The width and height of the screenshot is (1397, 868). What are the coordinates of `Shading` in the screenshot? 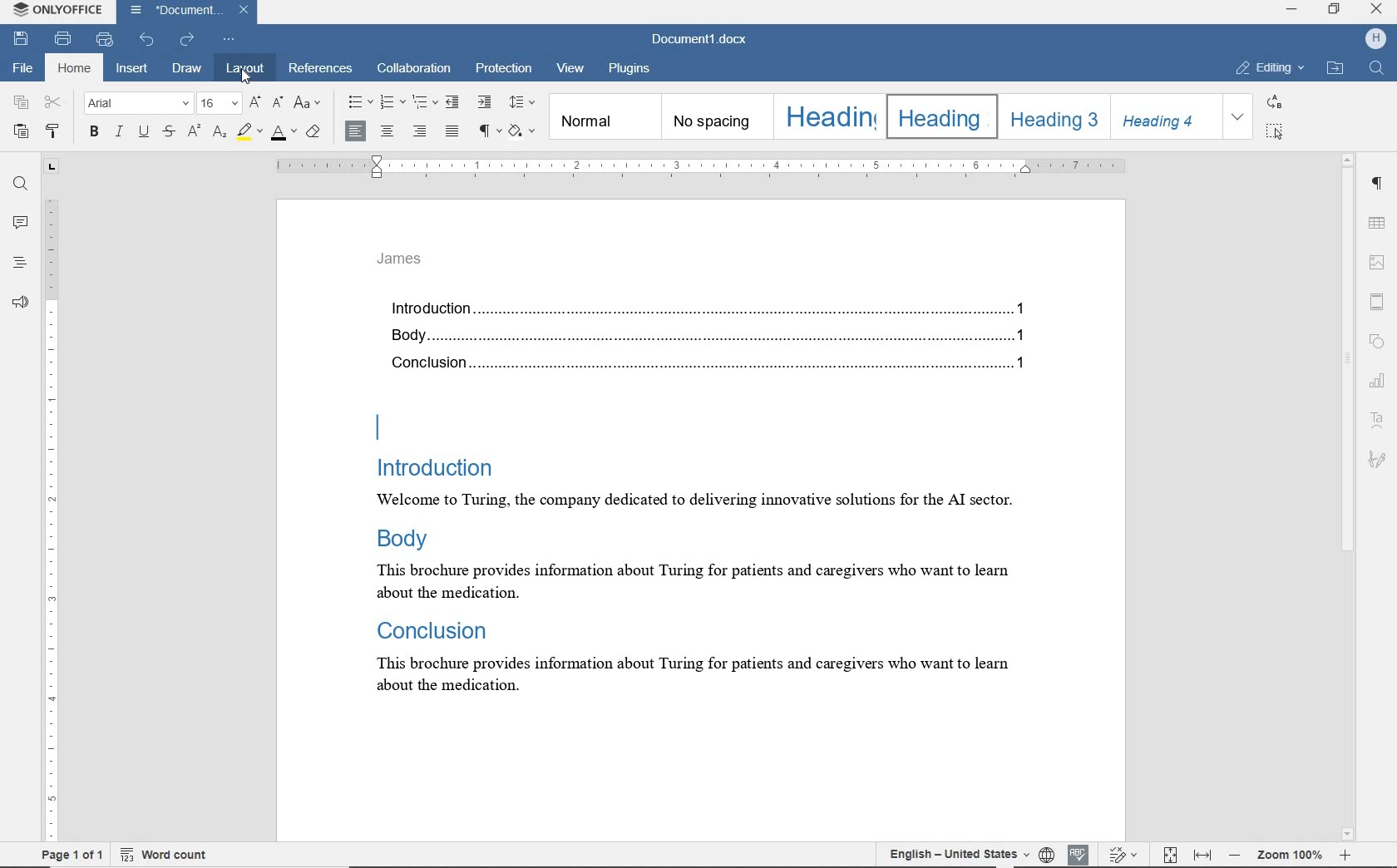 It's located at (525, 130).